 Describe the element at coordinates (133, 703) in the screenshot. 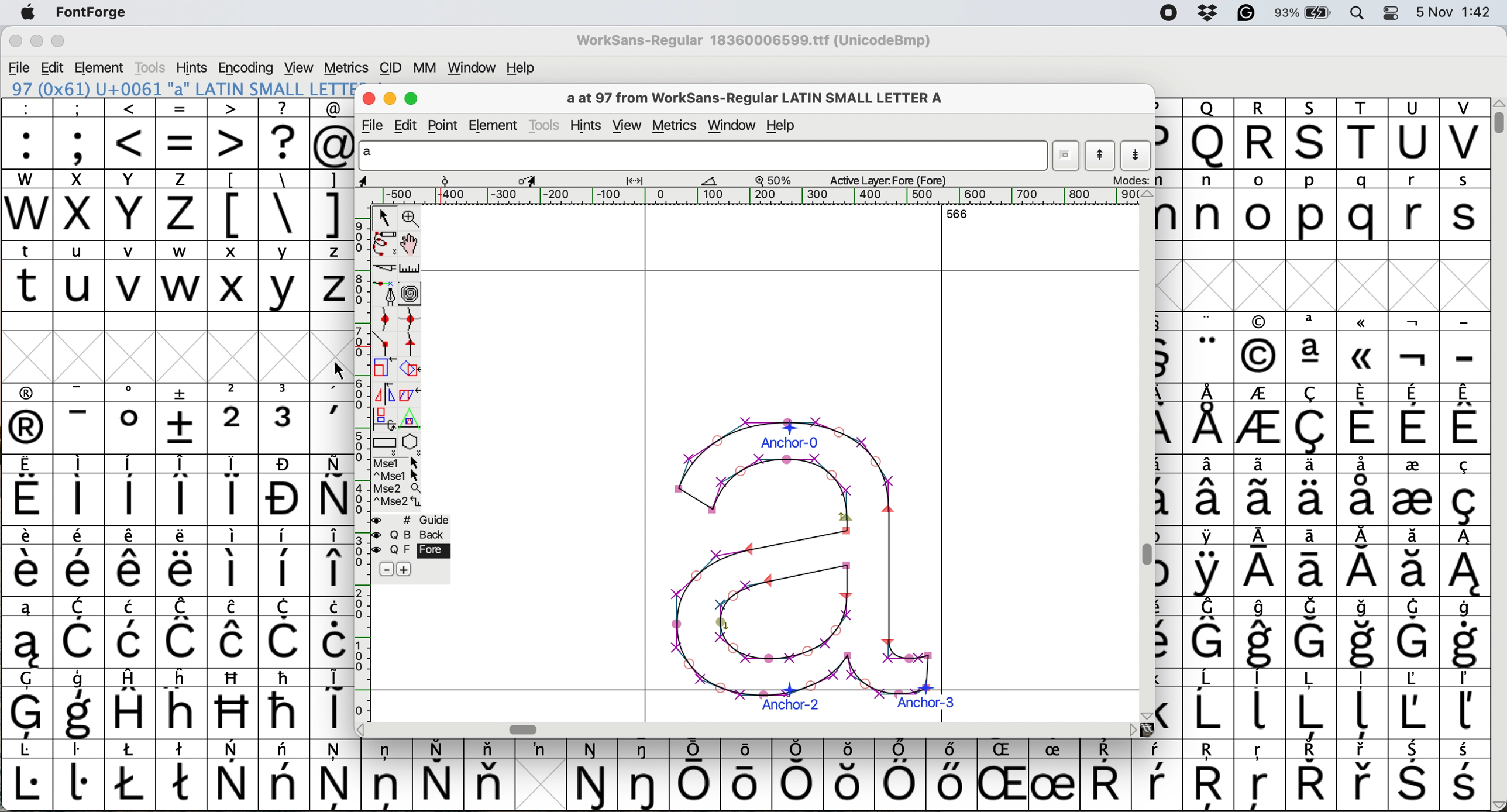

I see `symbol` at that location.